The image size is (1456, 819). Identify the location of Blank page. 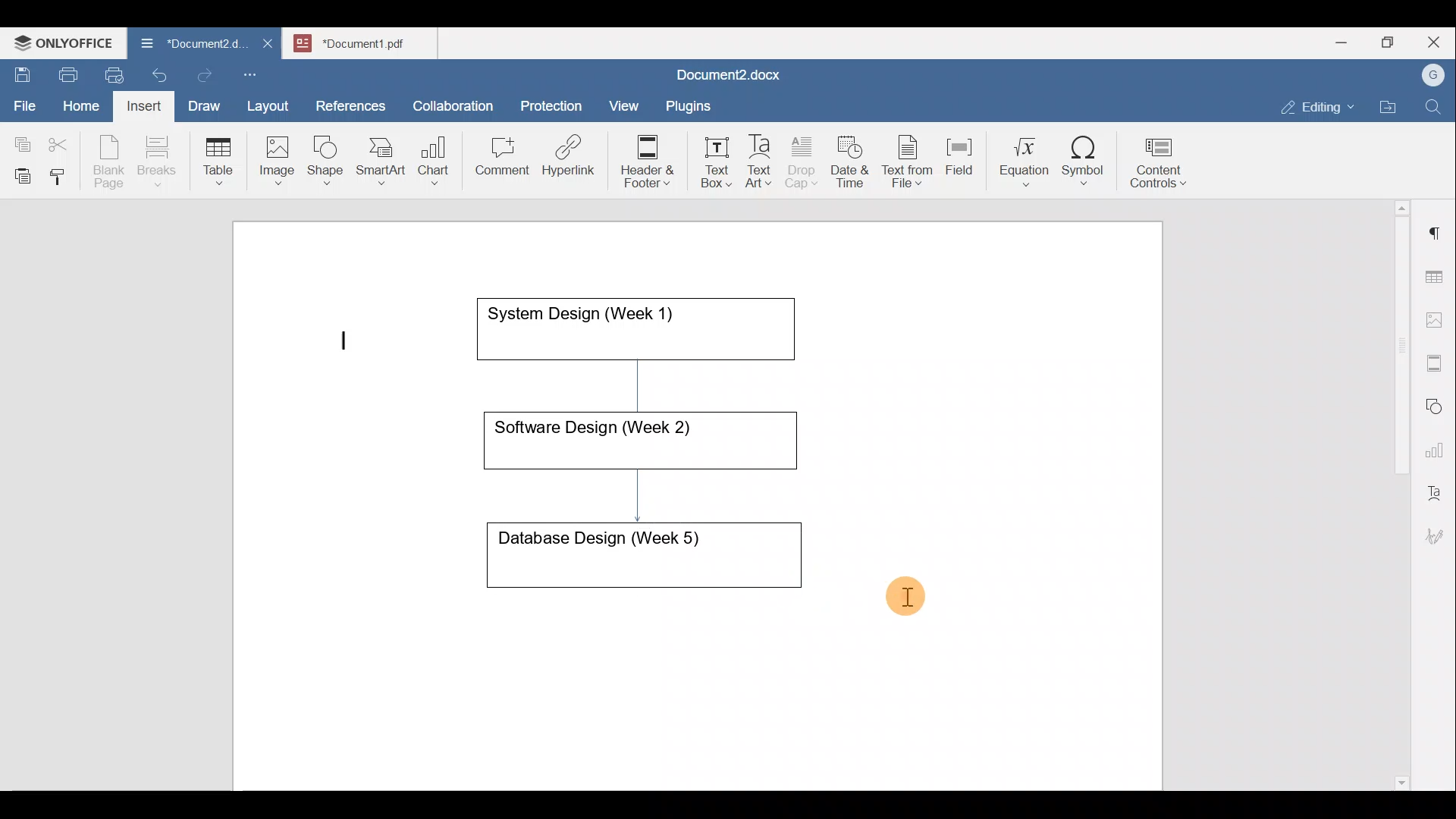
(111, 162).